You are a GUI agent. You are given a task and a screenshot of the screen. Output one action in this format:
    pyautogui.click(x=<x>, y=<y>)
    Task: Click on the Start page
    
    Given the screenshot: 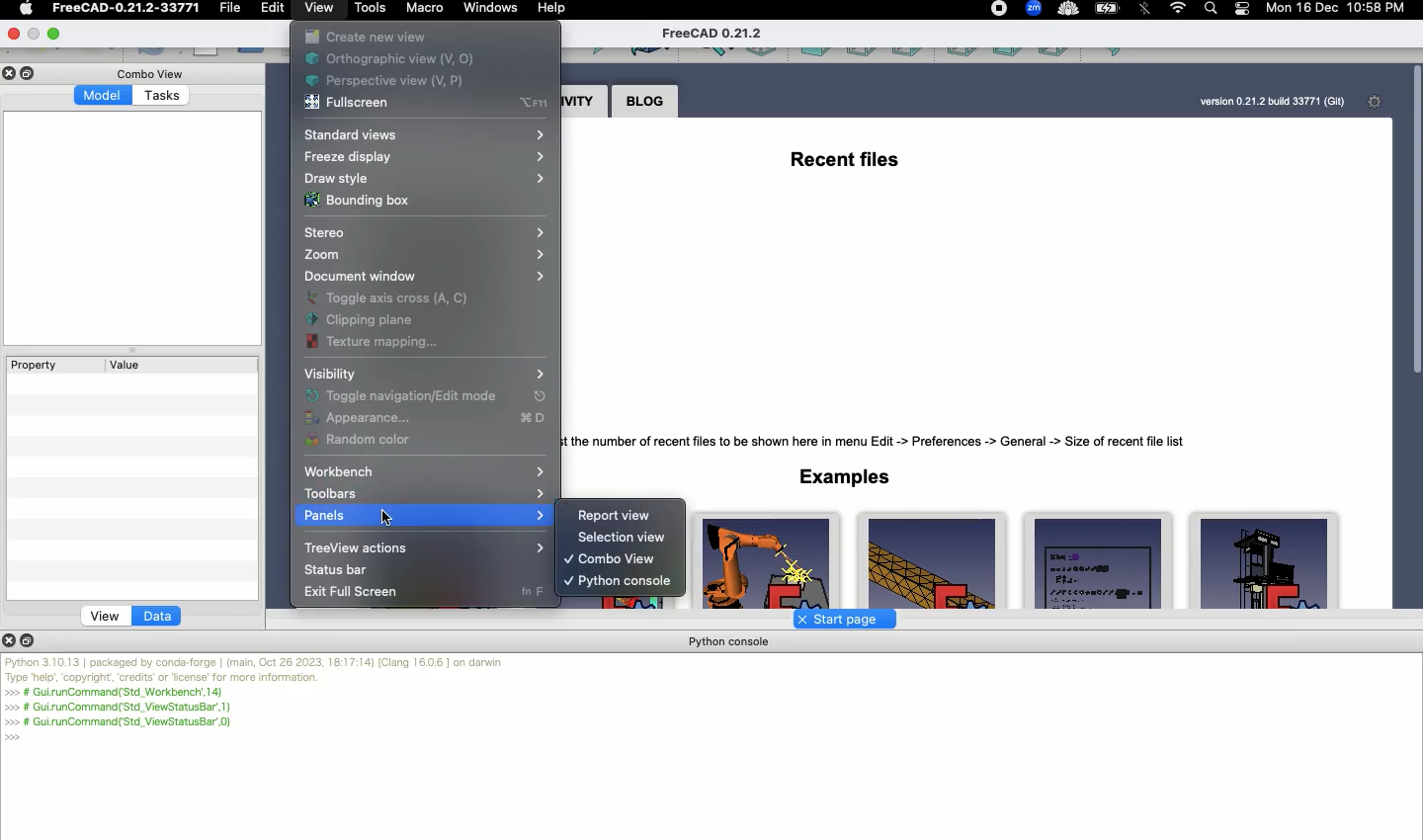 What is the action you would take?
    pyautogui.click(x=839, y=619)
    